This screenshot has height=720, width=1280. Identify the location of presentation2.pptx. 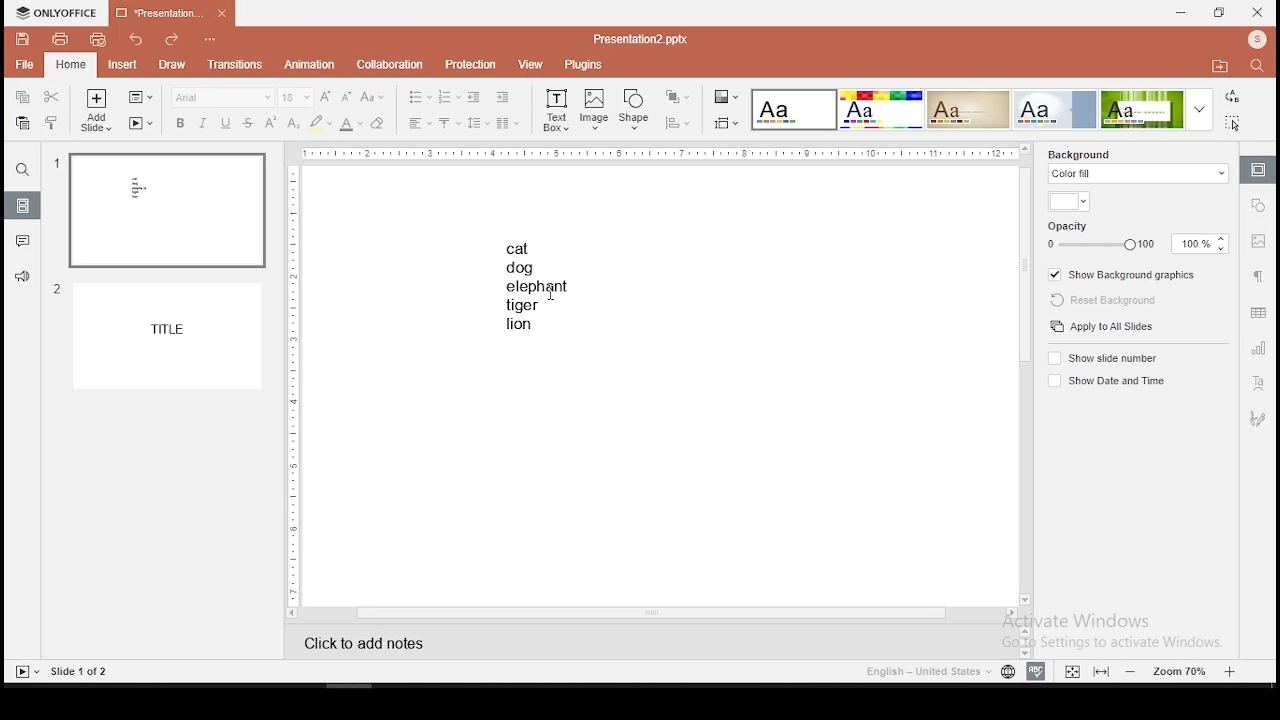
(641, 38).